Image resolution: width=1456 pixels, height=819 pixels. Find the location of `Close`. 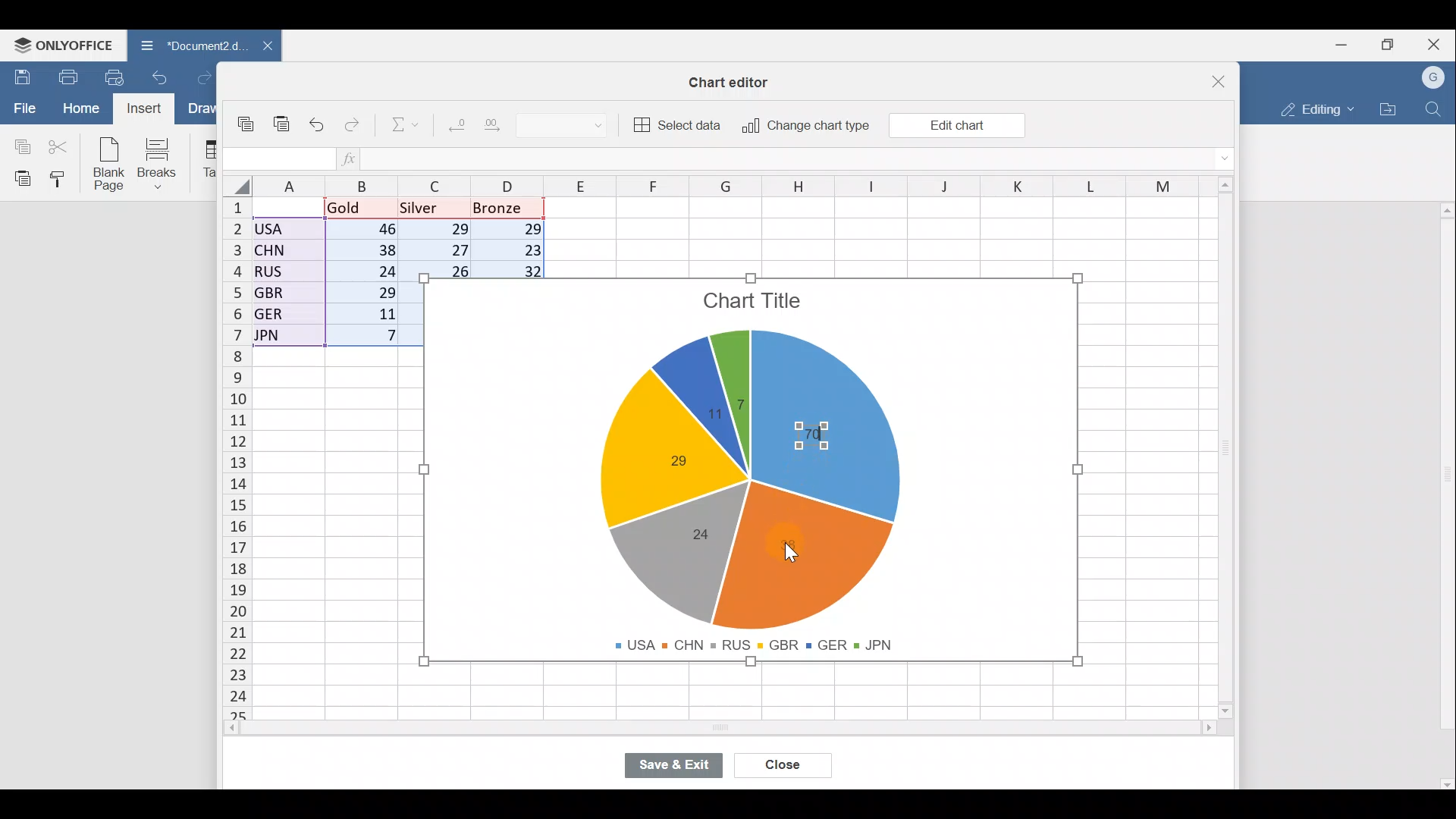

Close is located at coordinates (786, 767).